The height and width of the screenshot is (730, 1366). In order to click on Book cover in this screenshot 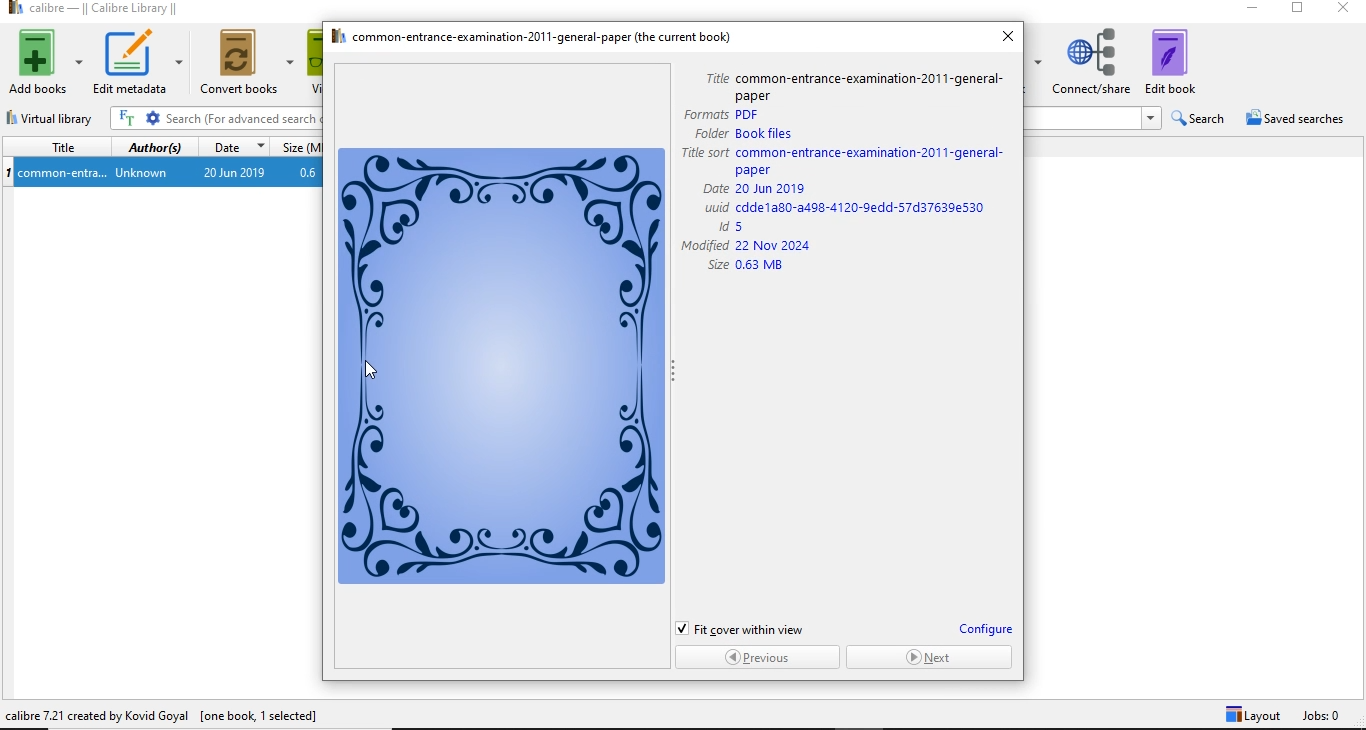, I will do `click(504, 366)`.